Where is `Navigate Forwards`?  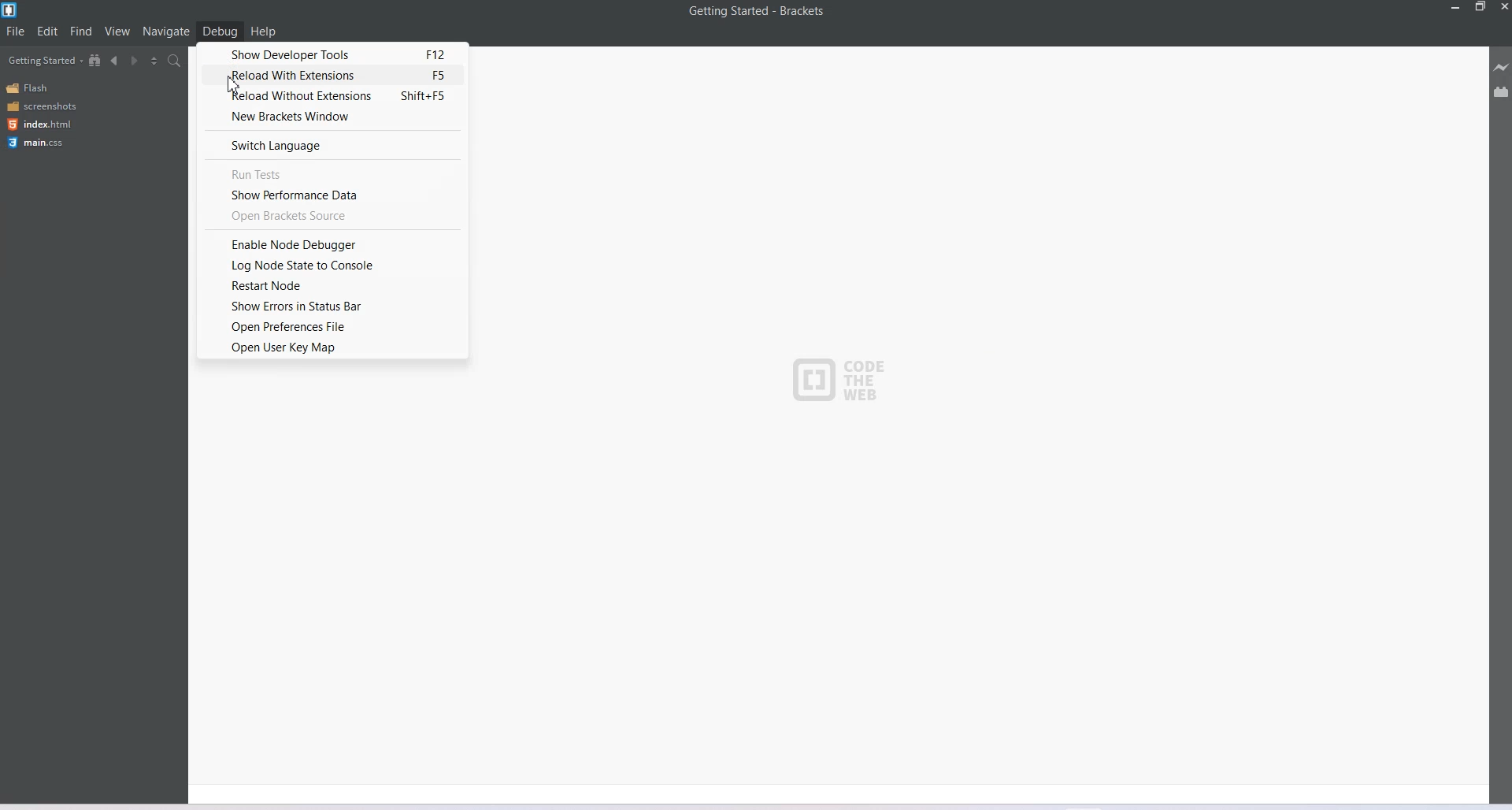 Navigate Forwards is located at coordinates (135, 61).